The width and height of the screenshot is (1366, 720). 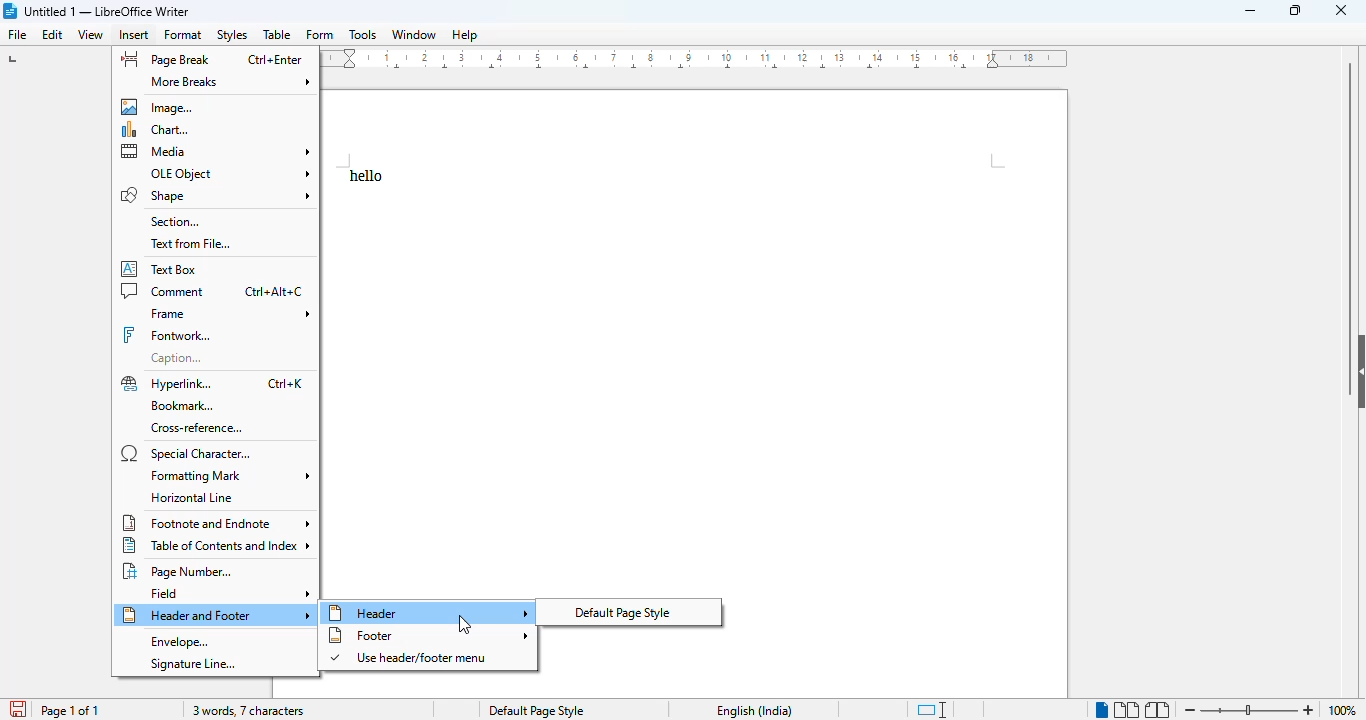 What do you see at coordinates (277, 34) in the screenshot?
I see `table` at bounding box center [277, 34].